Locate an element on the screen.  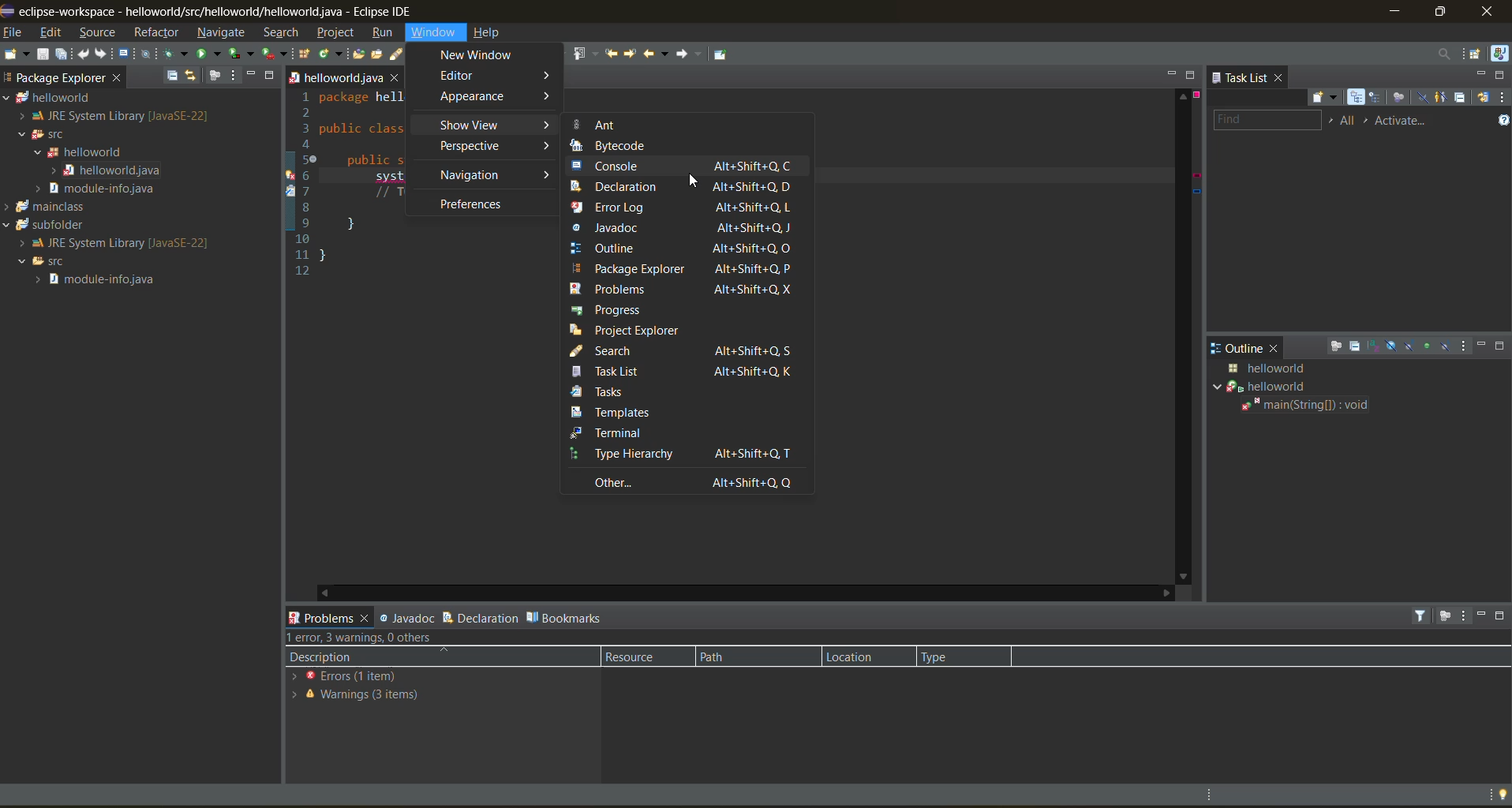
show whitespace characters is located at coordinates (523, 56).